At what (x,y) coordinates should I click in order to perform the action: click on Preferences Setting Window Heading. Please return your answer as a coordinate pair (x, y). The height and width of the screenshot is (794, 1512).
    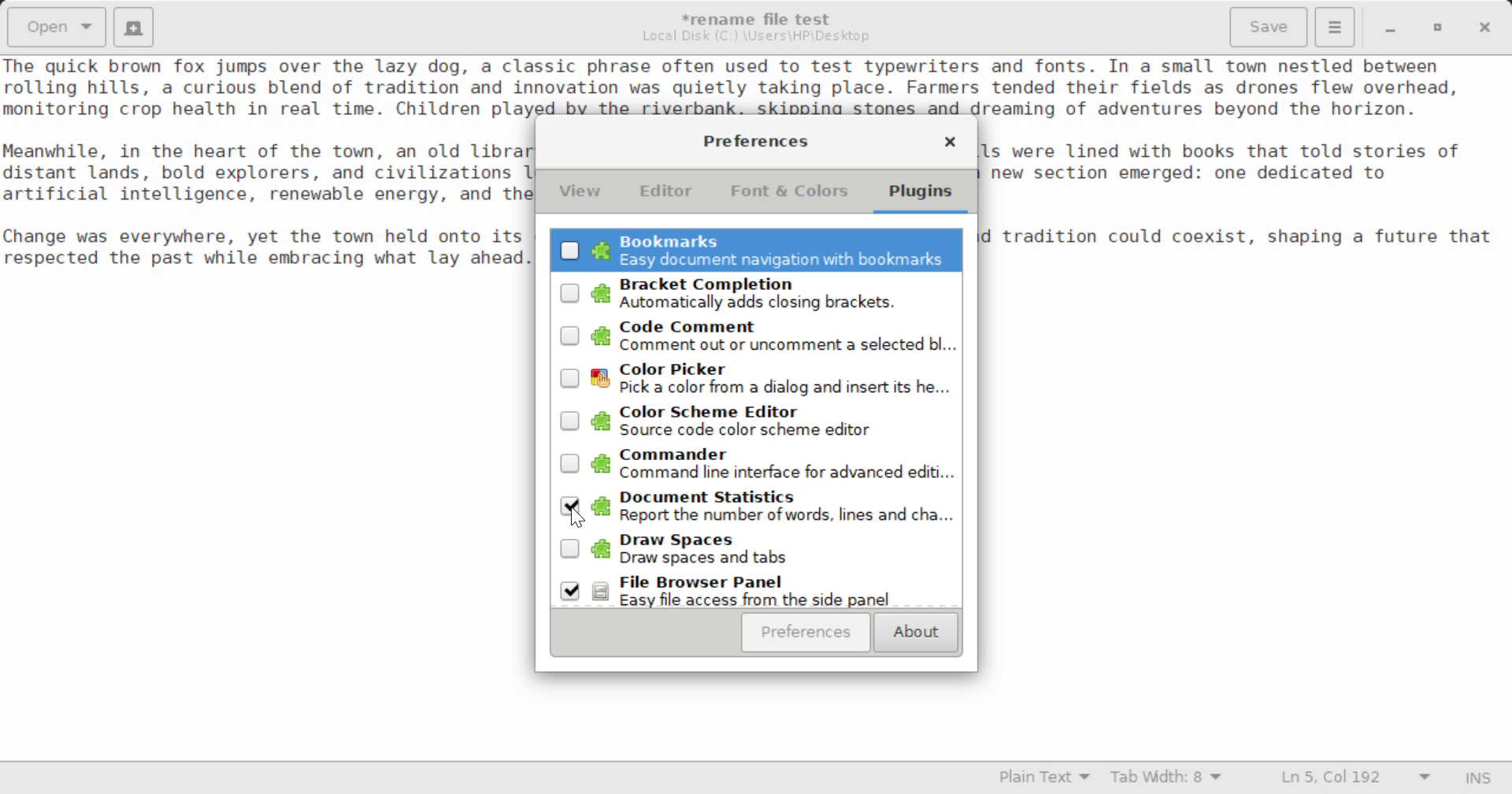
    Looking at the image, I should click on (755, 141).